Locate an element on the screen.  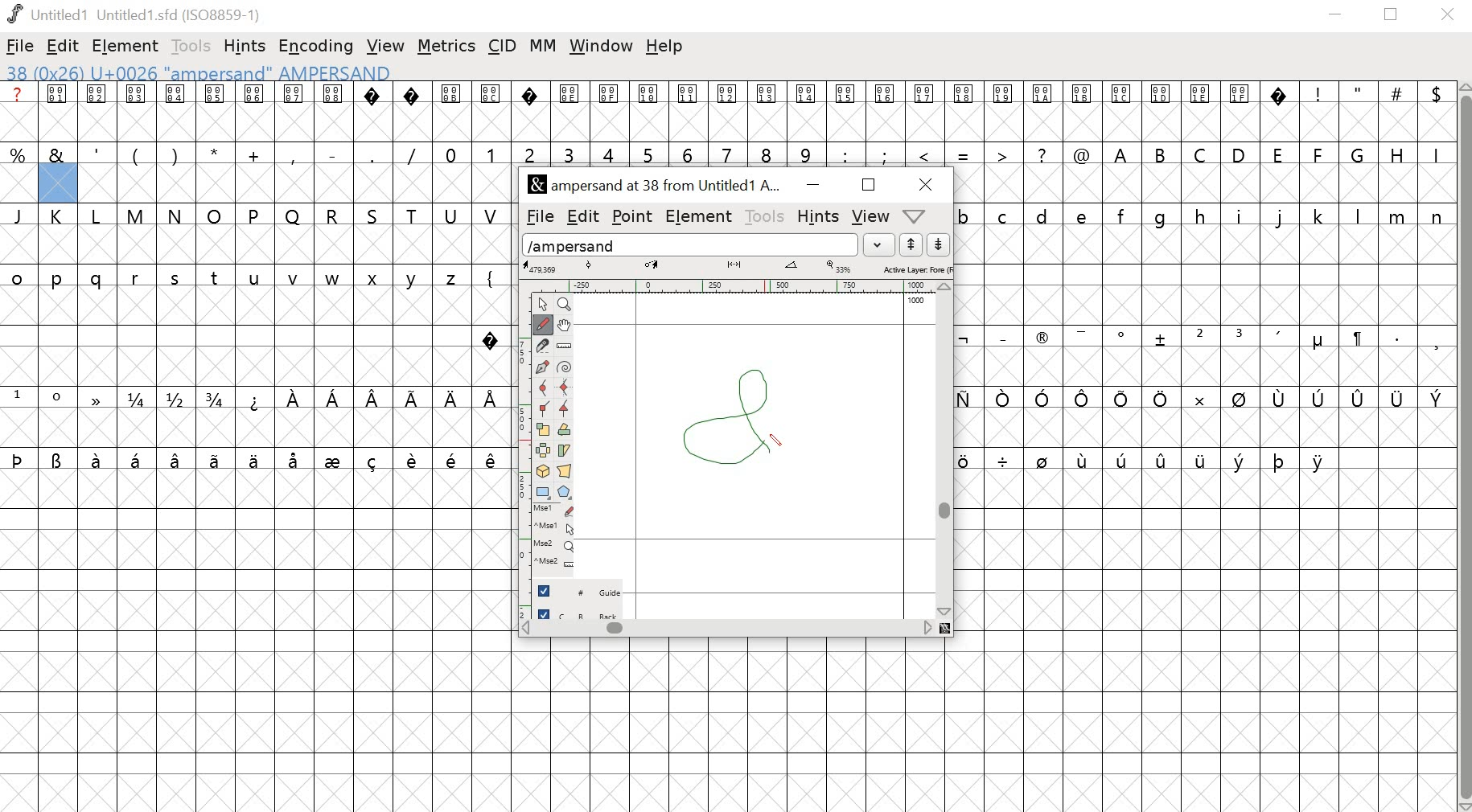
symbol is located at coordinates (1321, 461).